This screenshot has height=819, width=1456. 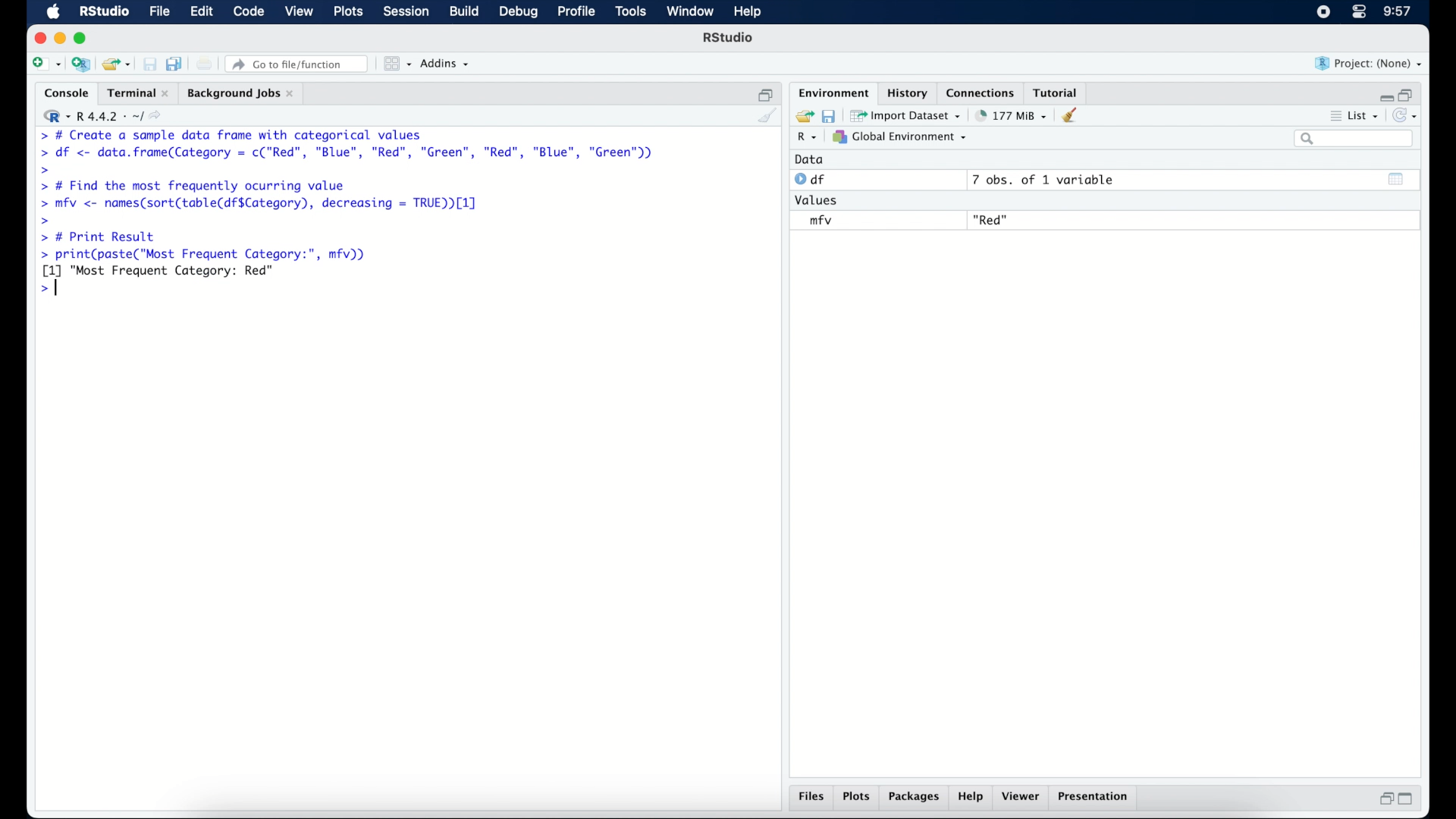 I want to click on macOS , so click(x=53, y=12).